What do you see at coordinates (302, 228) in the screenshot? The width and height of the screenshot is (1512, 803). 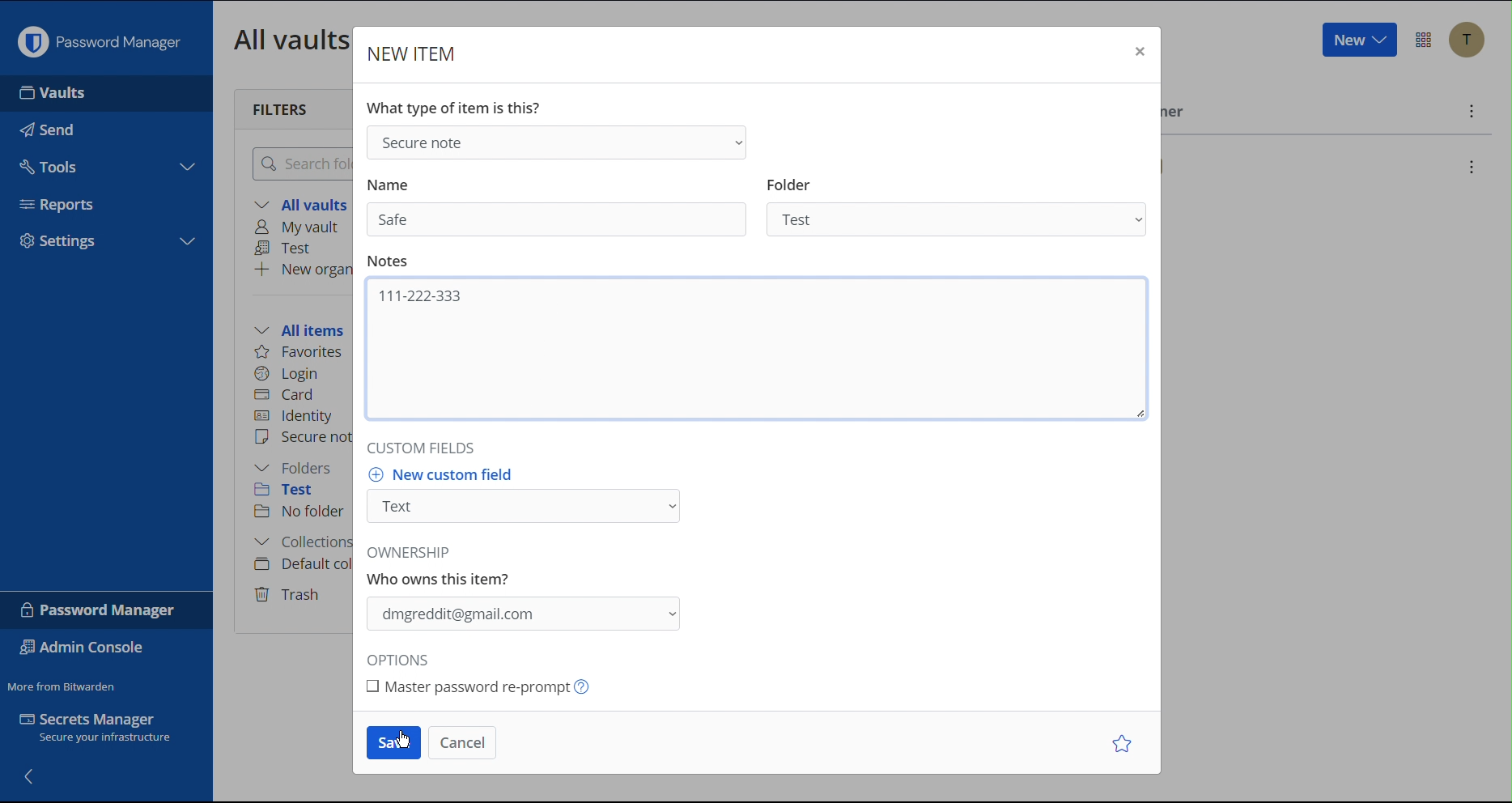 I see `My vault` at bounding box center [302, 228].